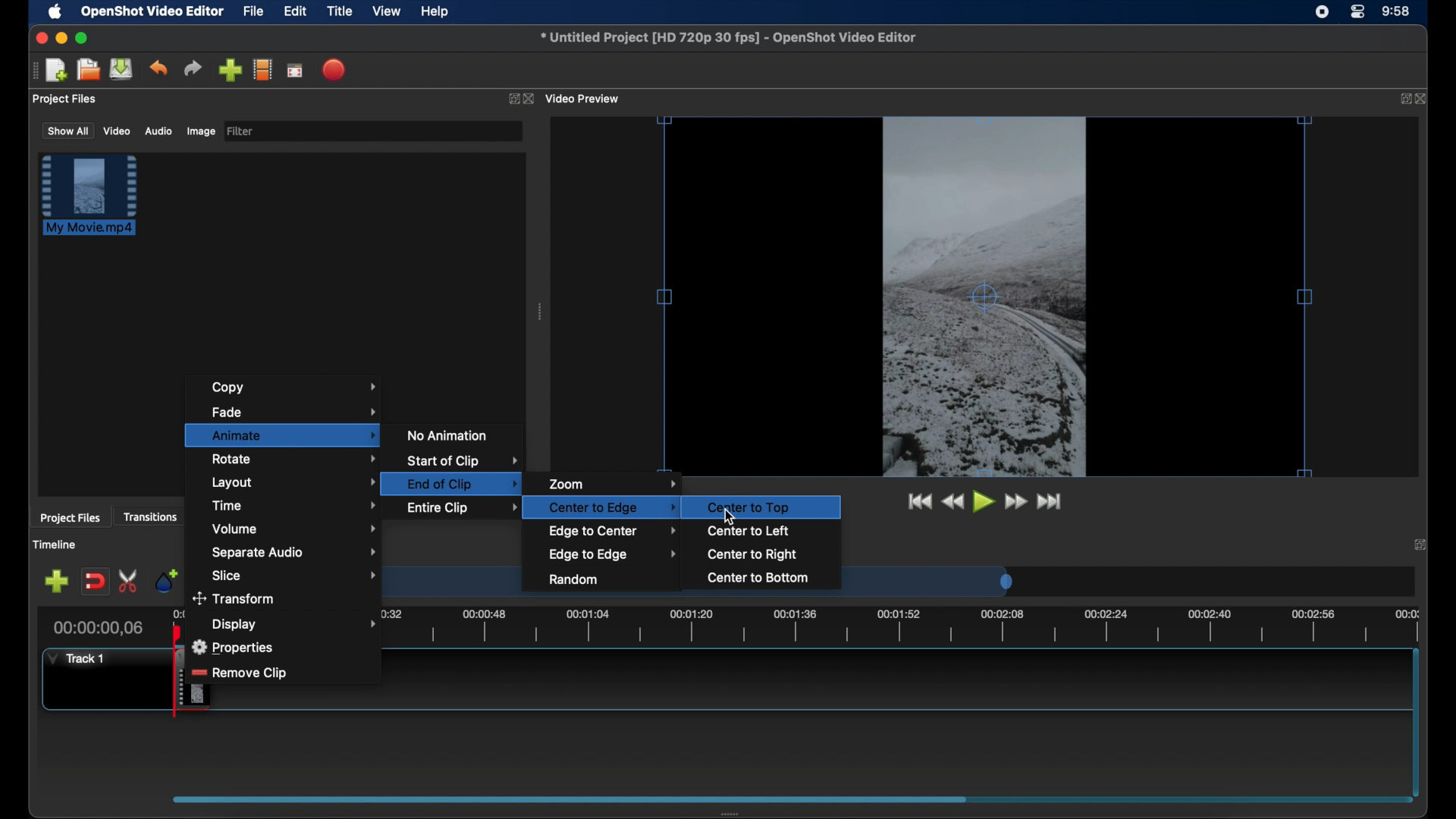  Describe the element at coordinates (541, 312) in the screenshot. I see `drag handle` at that location.